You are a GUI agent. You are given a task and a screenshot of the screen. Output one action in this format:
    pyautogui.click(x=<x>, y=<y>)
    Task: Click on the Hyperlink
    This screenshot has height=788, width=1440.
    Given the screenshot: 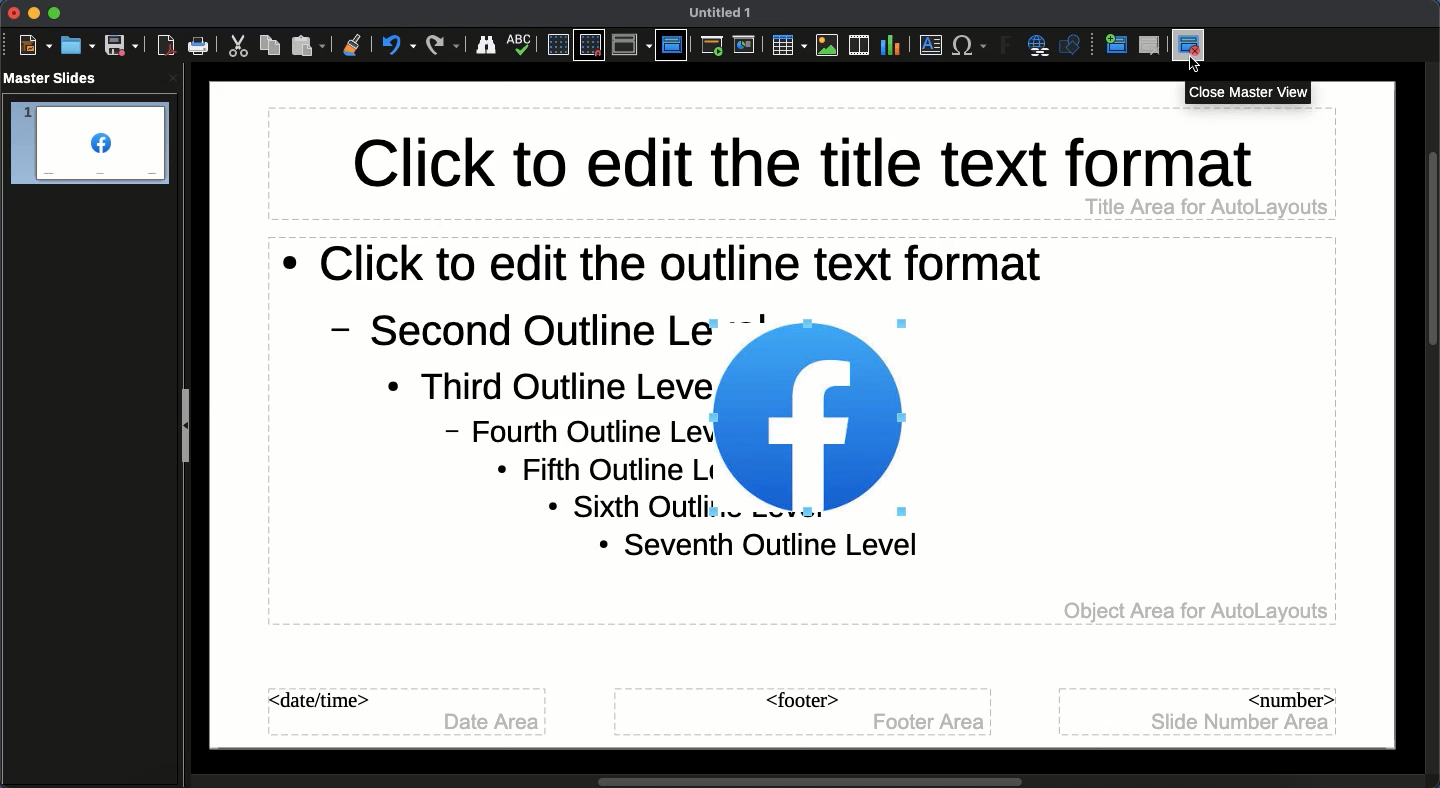 What is the action you would take?
    pyautogui.click(x=1038, y=46)
    